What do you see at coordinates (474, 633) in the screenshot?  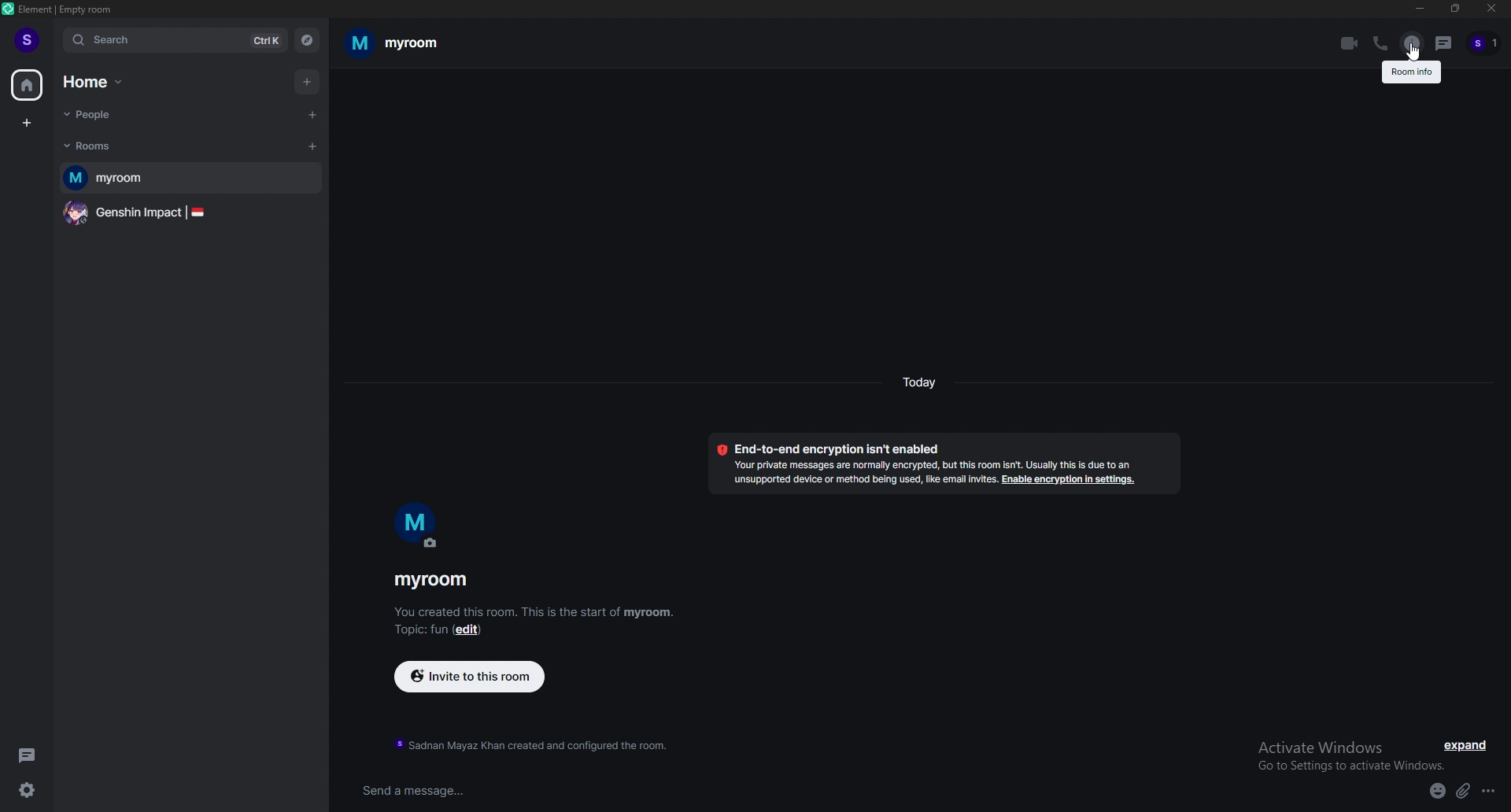 I see `edit` at bounding box center [474, 633].